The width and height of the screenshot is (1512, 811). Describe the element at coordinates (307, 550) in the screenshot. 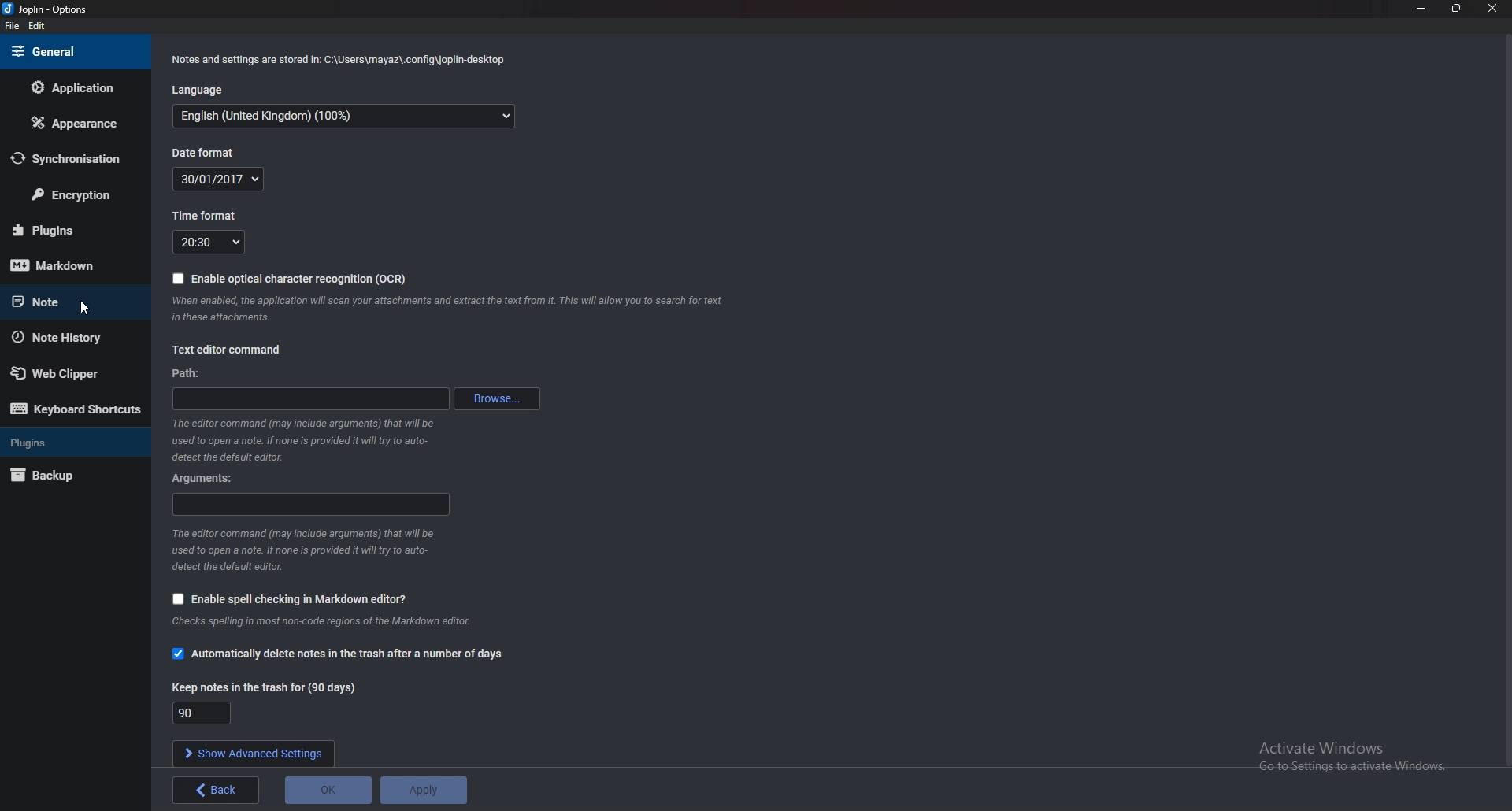

I see `The editor command (may include arguments) that will be
used to open a note. If none is provided it will ry to auto-
detect the default editor.` at that location.